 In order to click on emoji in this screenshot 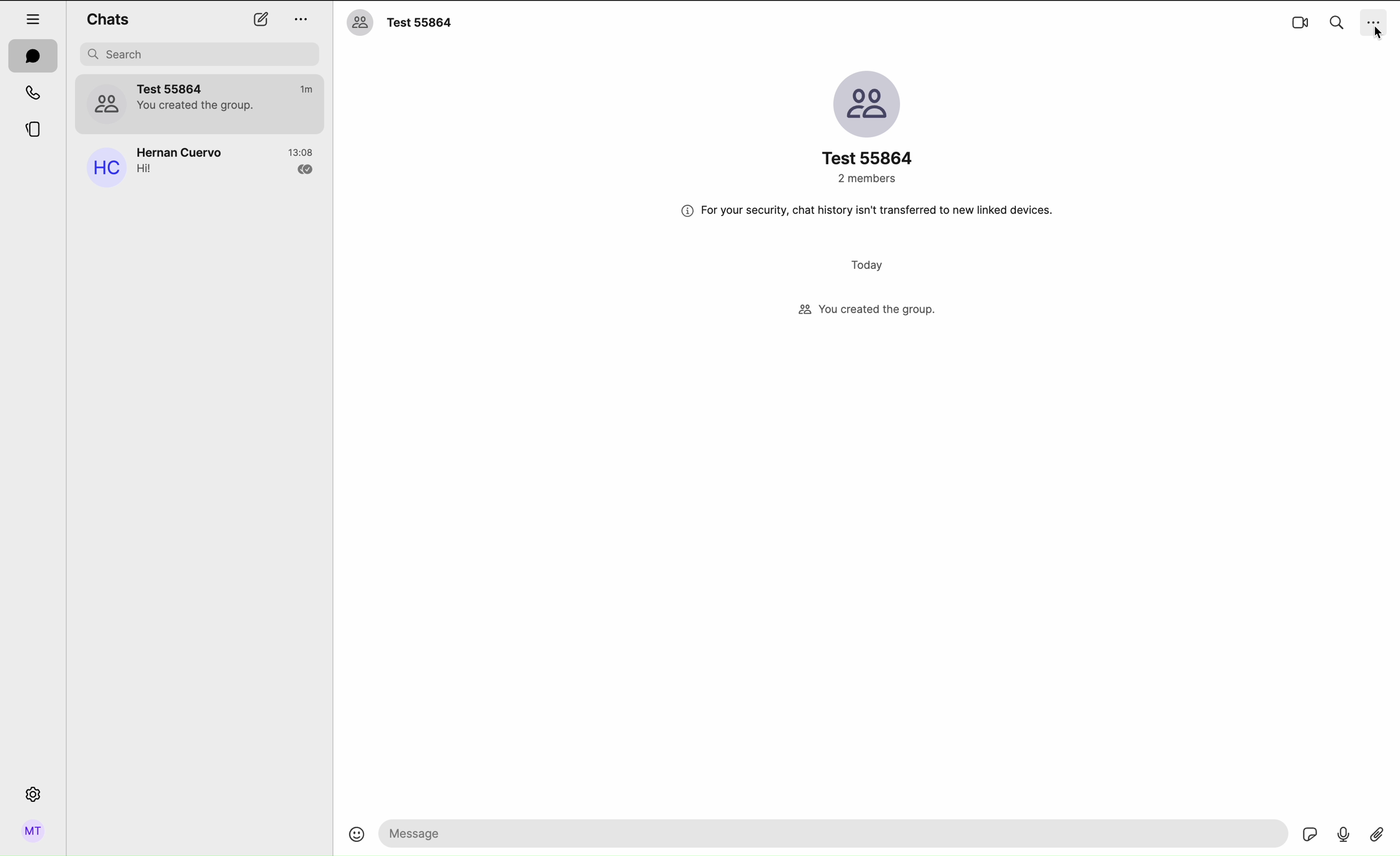, I will do `click(358, 839)`.